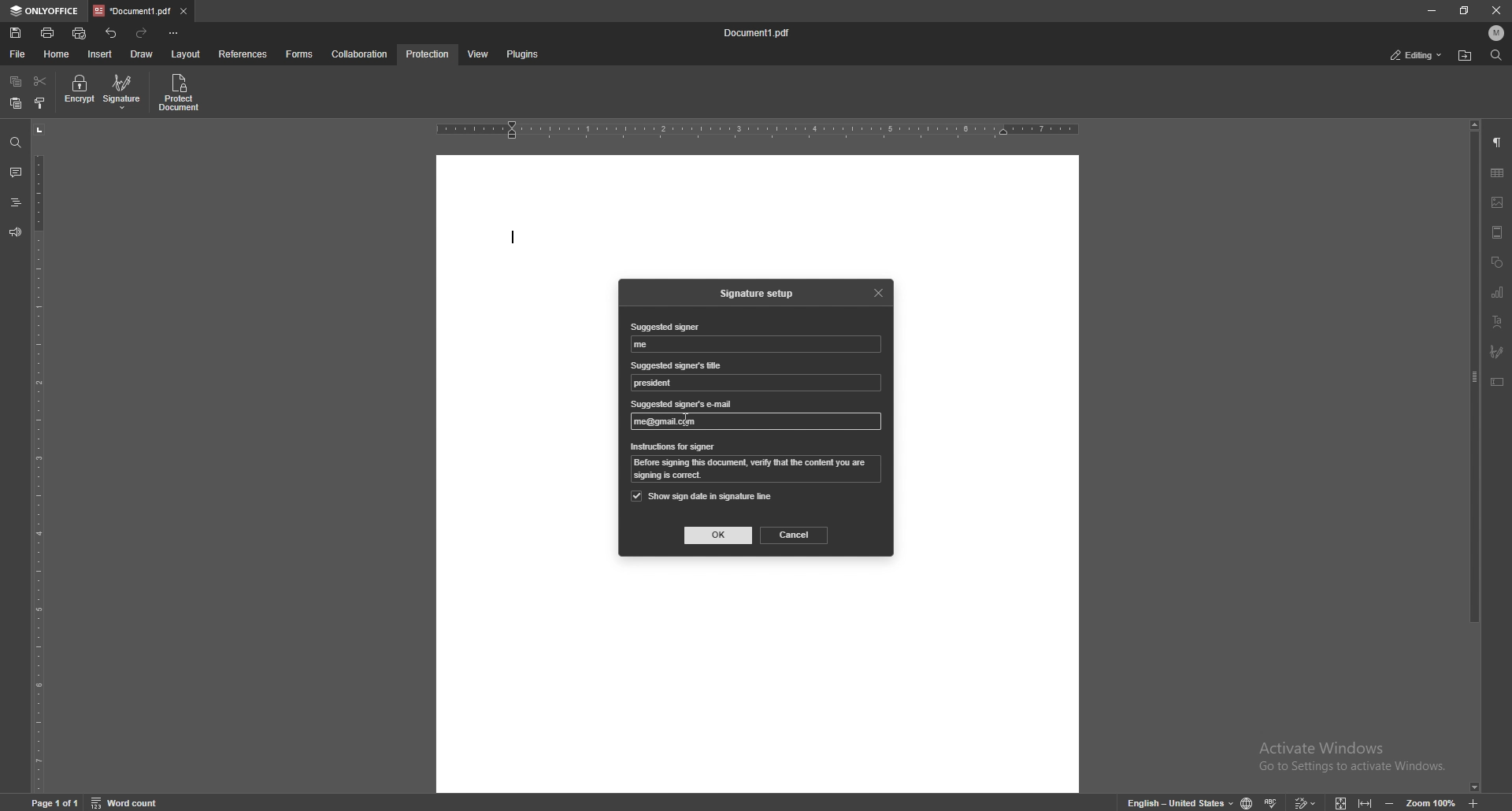  I want to click on scroll bar, so click(1475, 457).